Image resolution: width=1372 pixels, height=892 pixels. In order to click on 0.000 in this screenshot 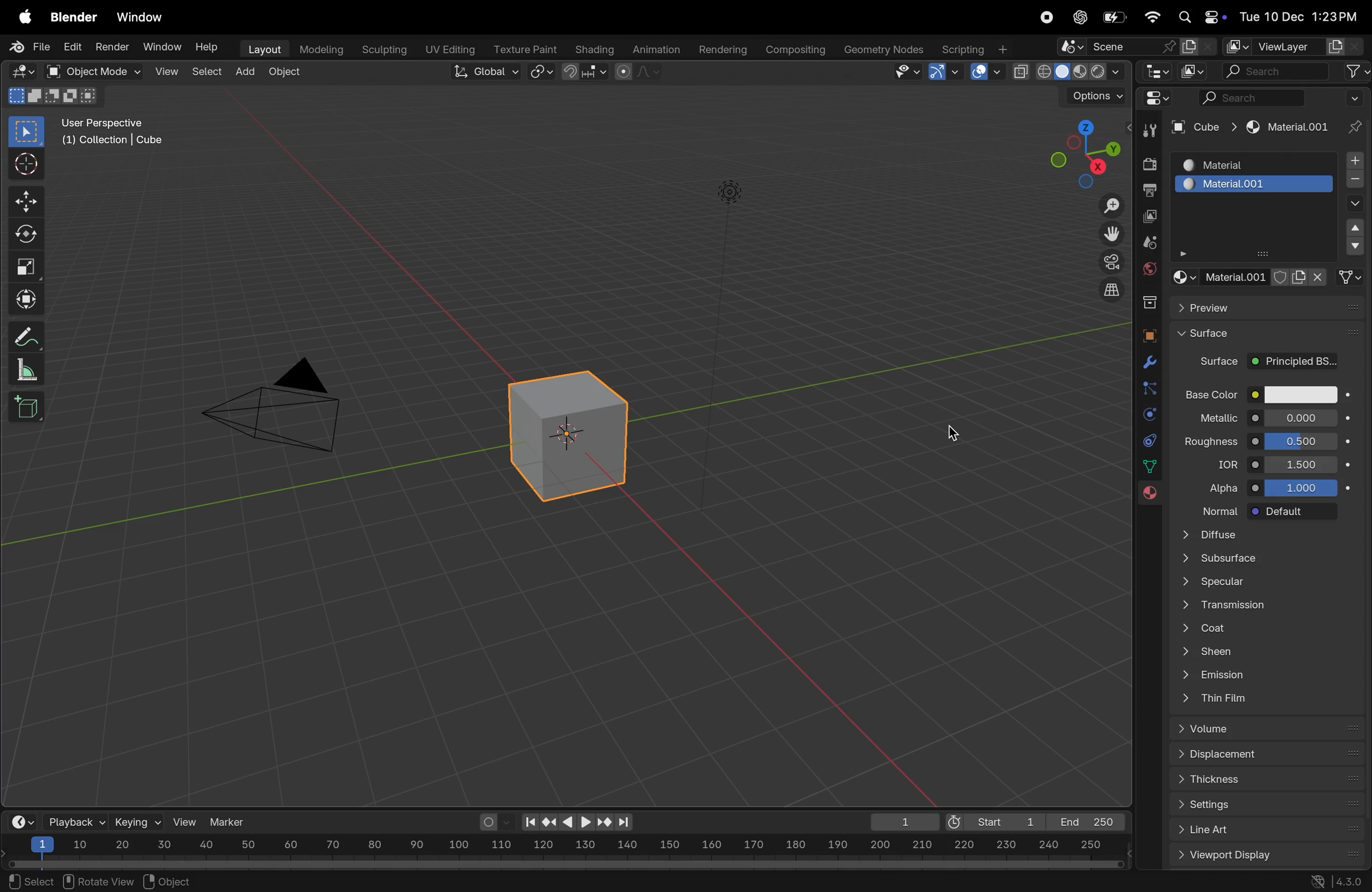, I will do `click(1303, 440)`.